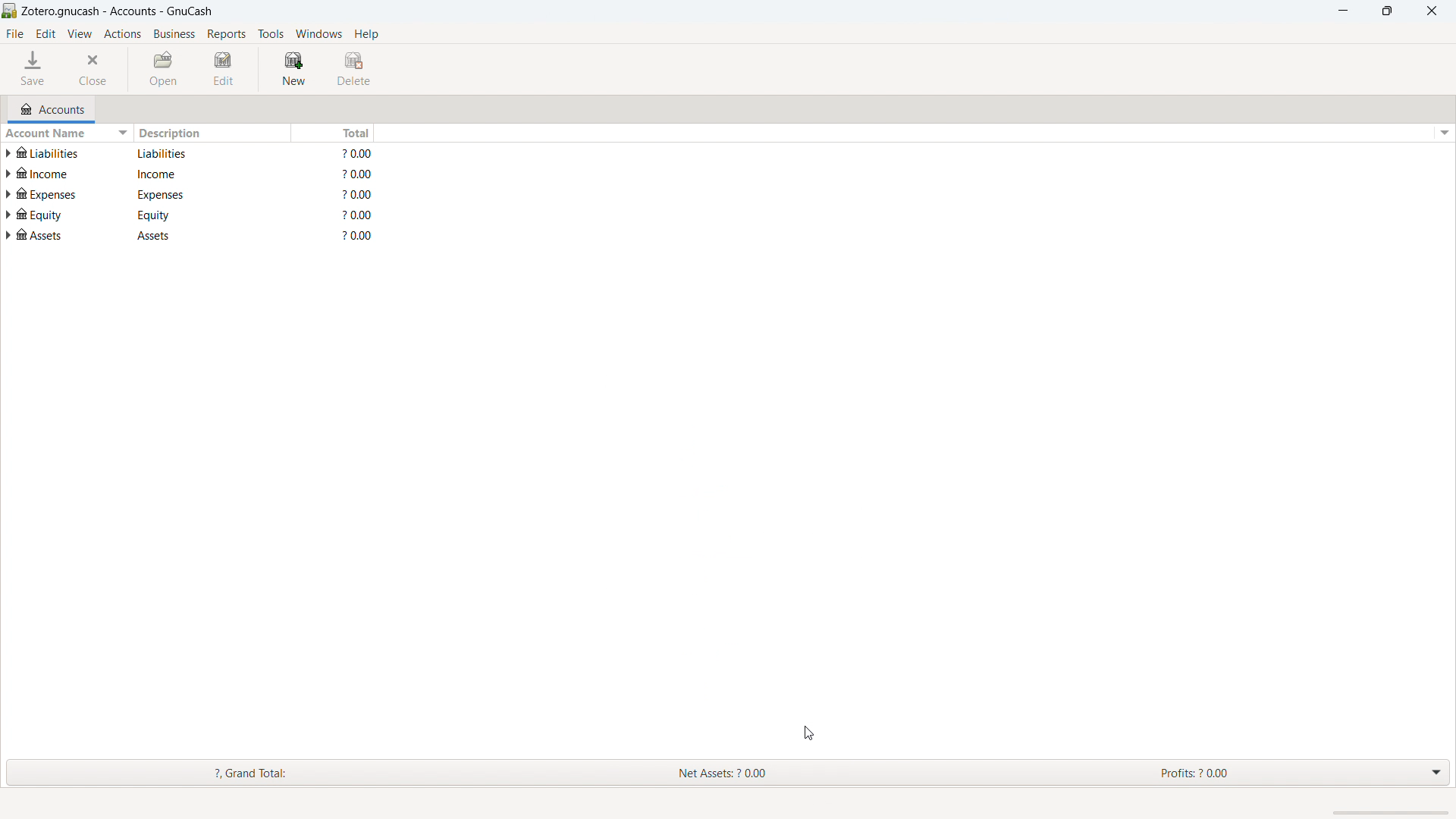  What do you see at coordinates (34, 68) in the screenshot?
I see `save` at bounding box center [34, 68].